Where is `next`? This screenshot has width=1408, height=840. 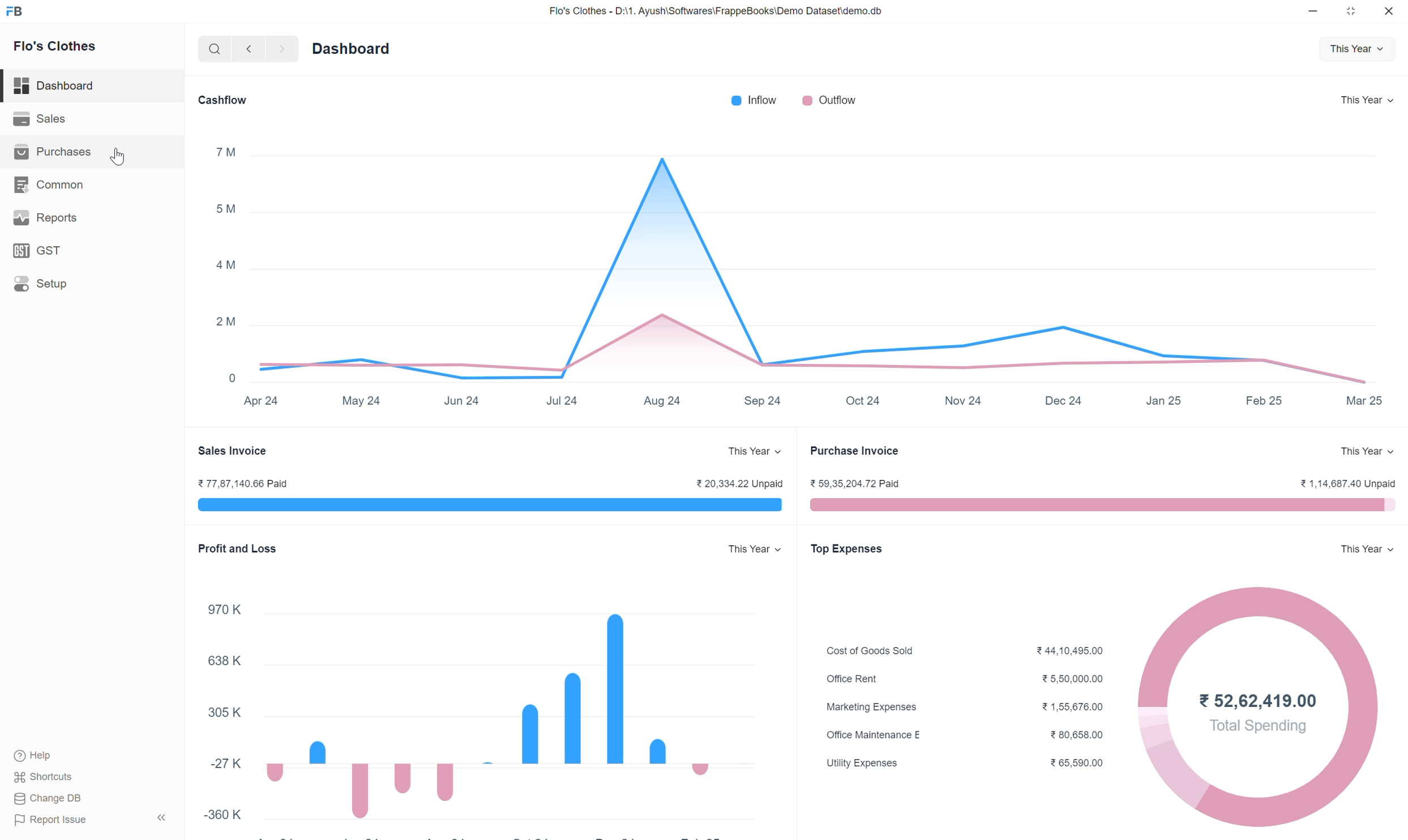
next is located at coordinates (284, 49).